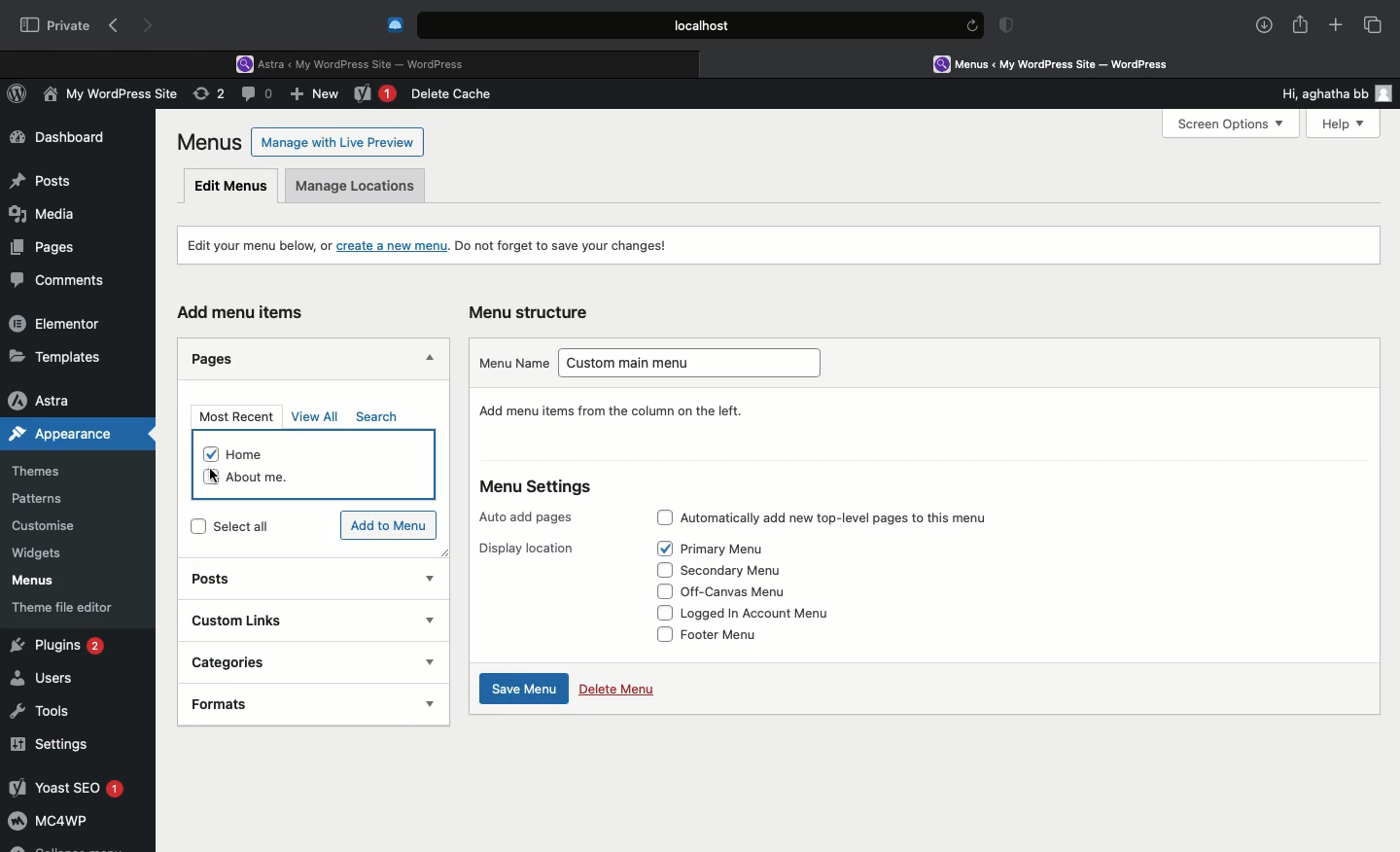 This screenshot has width=1400, height=852. I want to click on About me, so click(275, 475).